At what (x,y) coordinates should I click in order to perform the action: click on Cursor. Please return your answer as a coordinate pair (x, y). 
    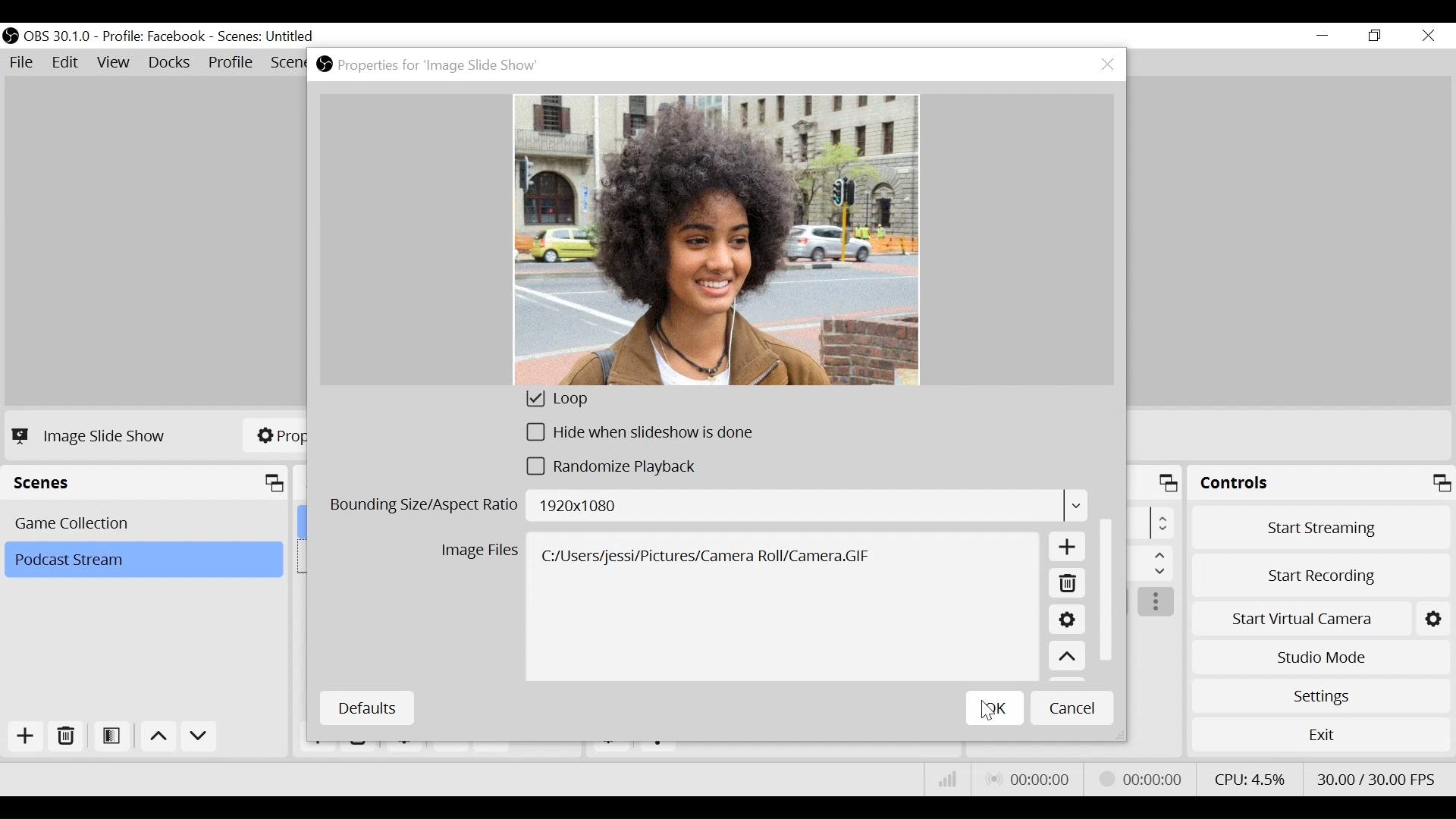
    Looking at the image, I should click on (989, 712).